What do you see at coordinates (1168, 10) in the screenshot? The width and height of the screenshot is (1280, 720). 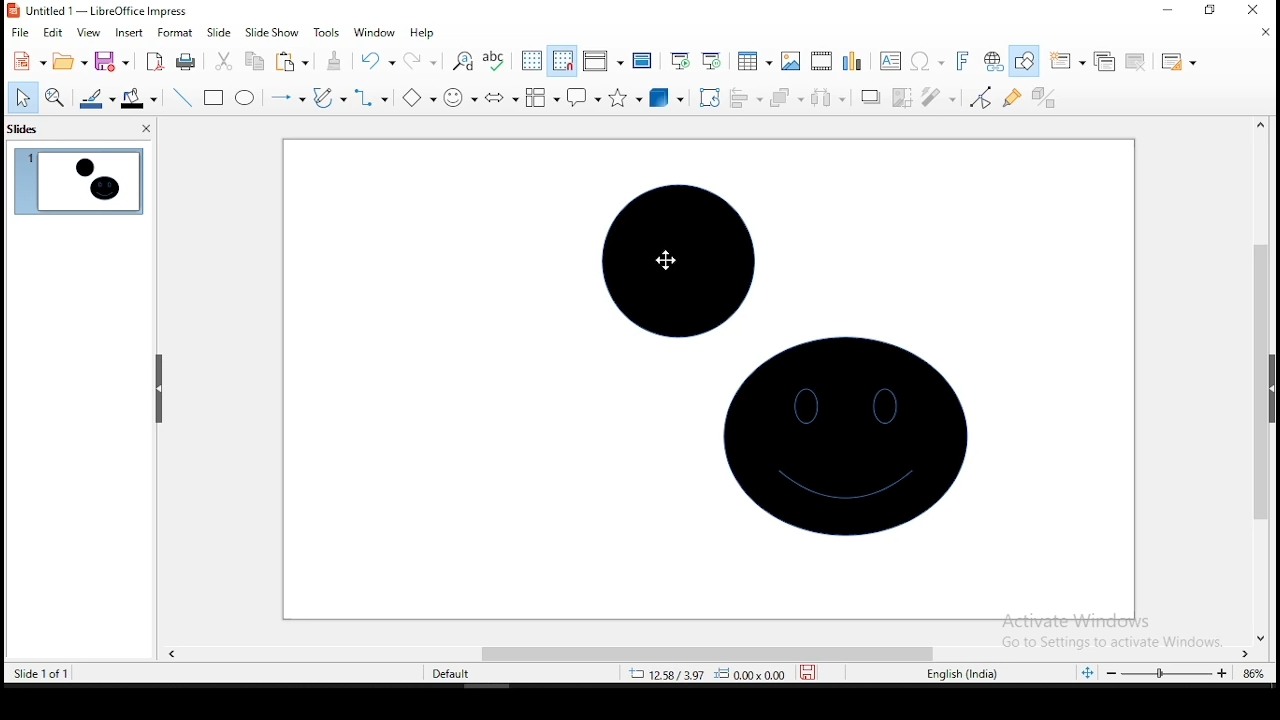 I see `minimize` at bounding box center [1168, 10].